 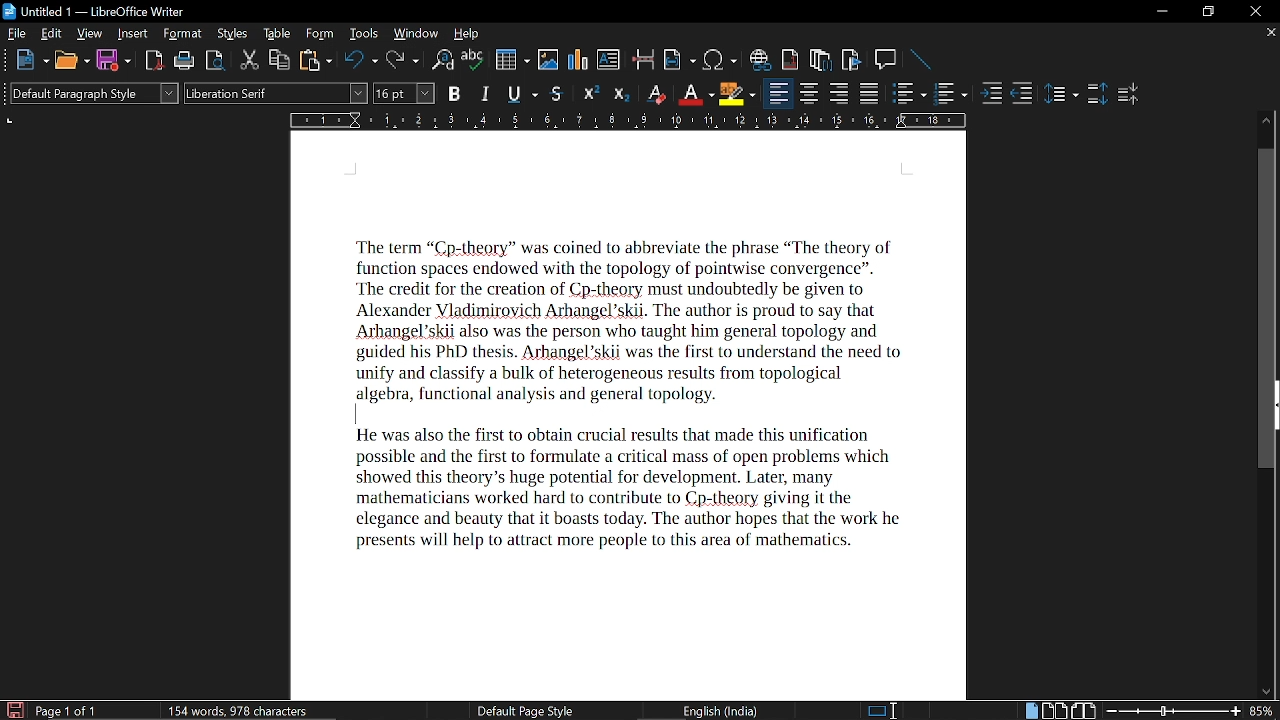 I want to click on View, so click(x=90, y=35).